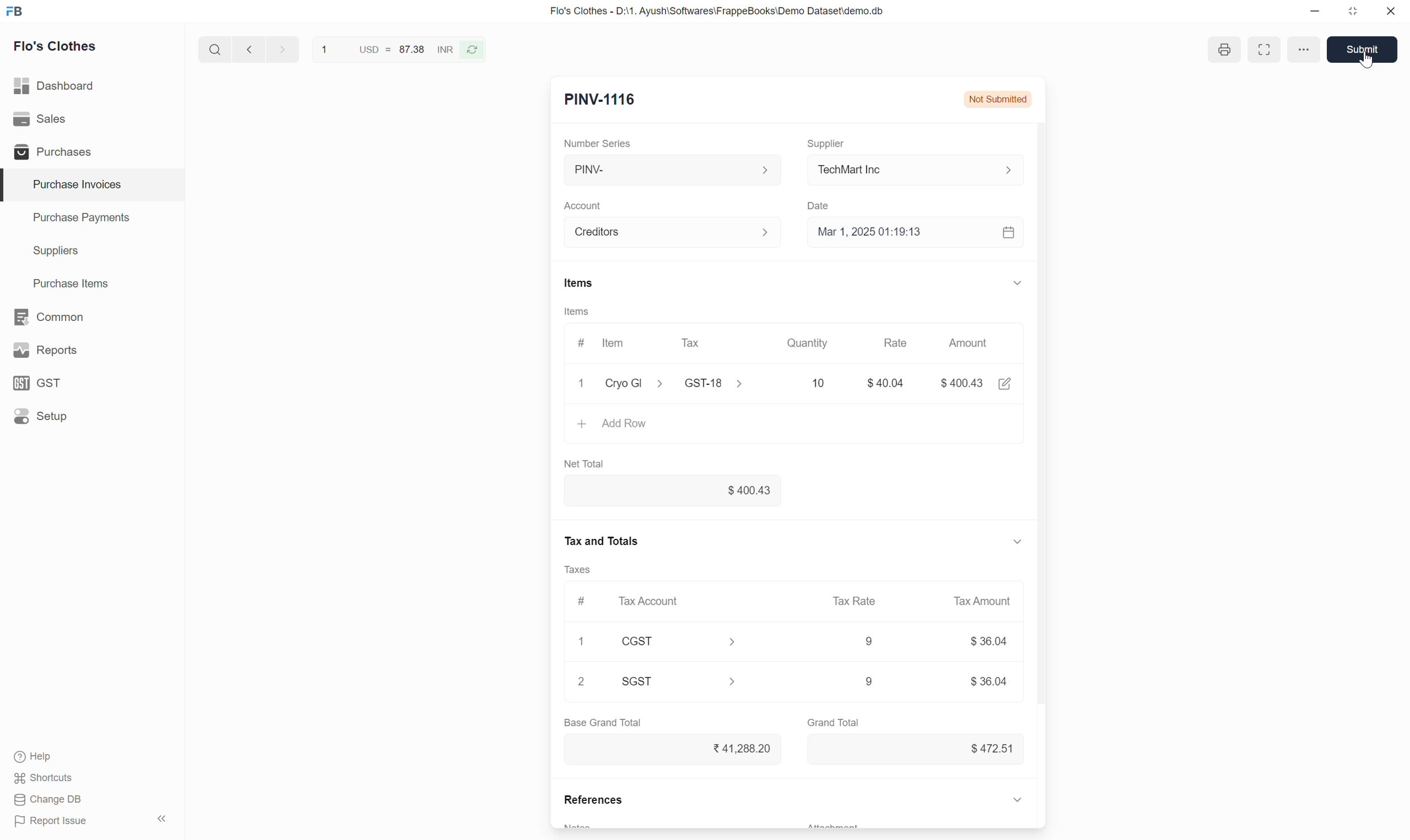 This screenshot has height=840, width=1410. Describe the element at coordinates (815, 343) in the screenshot. I see `Quantity` at that location.